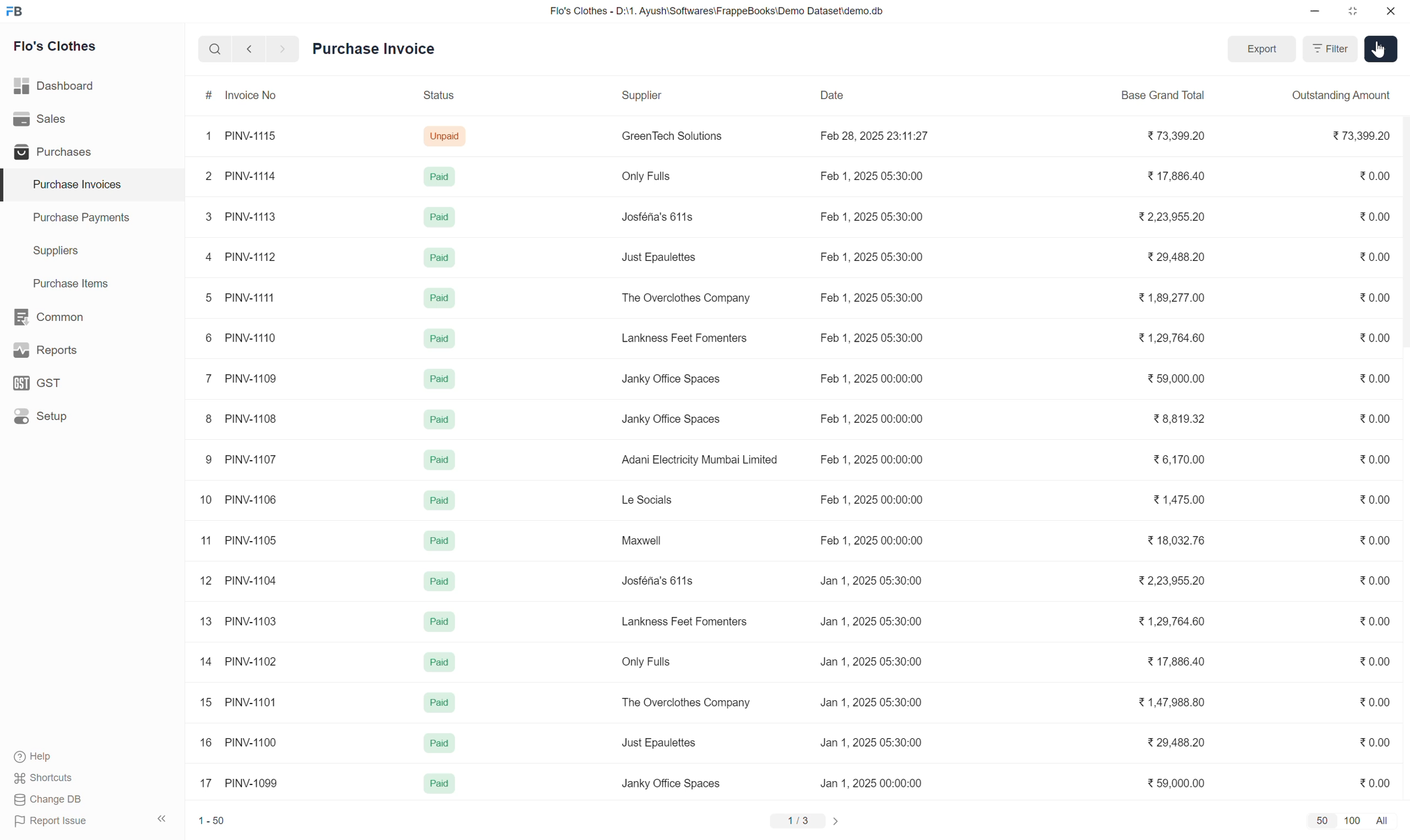  What do you see at coordinates (1165, 95) in the screenshot?
I see `Base Grand Total` at bounding box center [1165, 95].